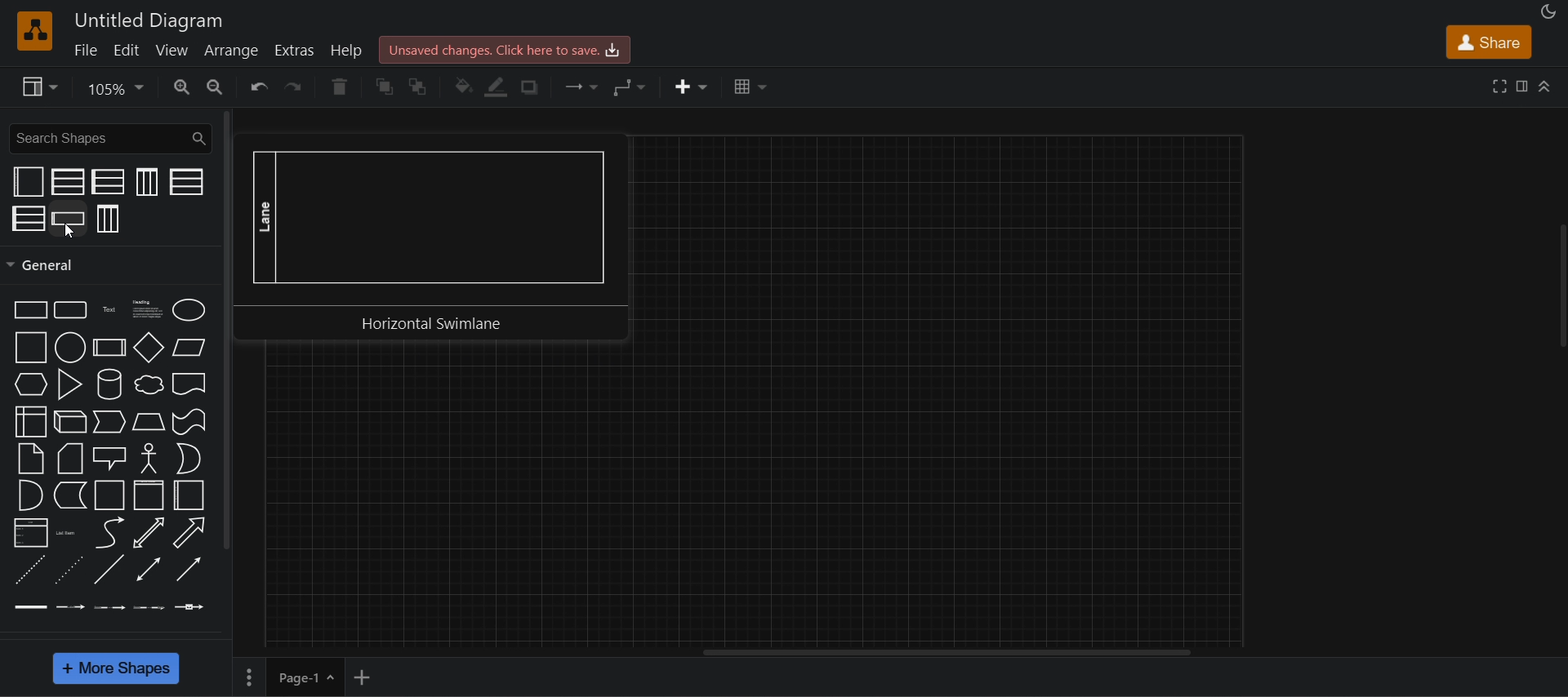 This screenshot has height=697, width=1568. What do you see at coordinates (506, 48) in the screenshot?
I see `unsaved changes. click here to save` at bounding box center [506, 48].